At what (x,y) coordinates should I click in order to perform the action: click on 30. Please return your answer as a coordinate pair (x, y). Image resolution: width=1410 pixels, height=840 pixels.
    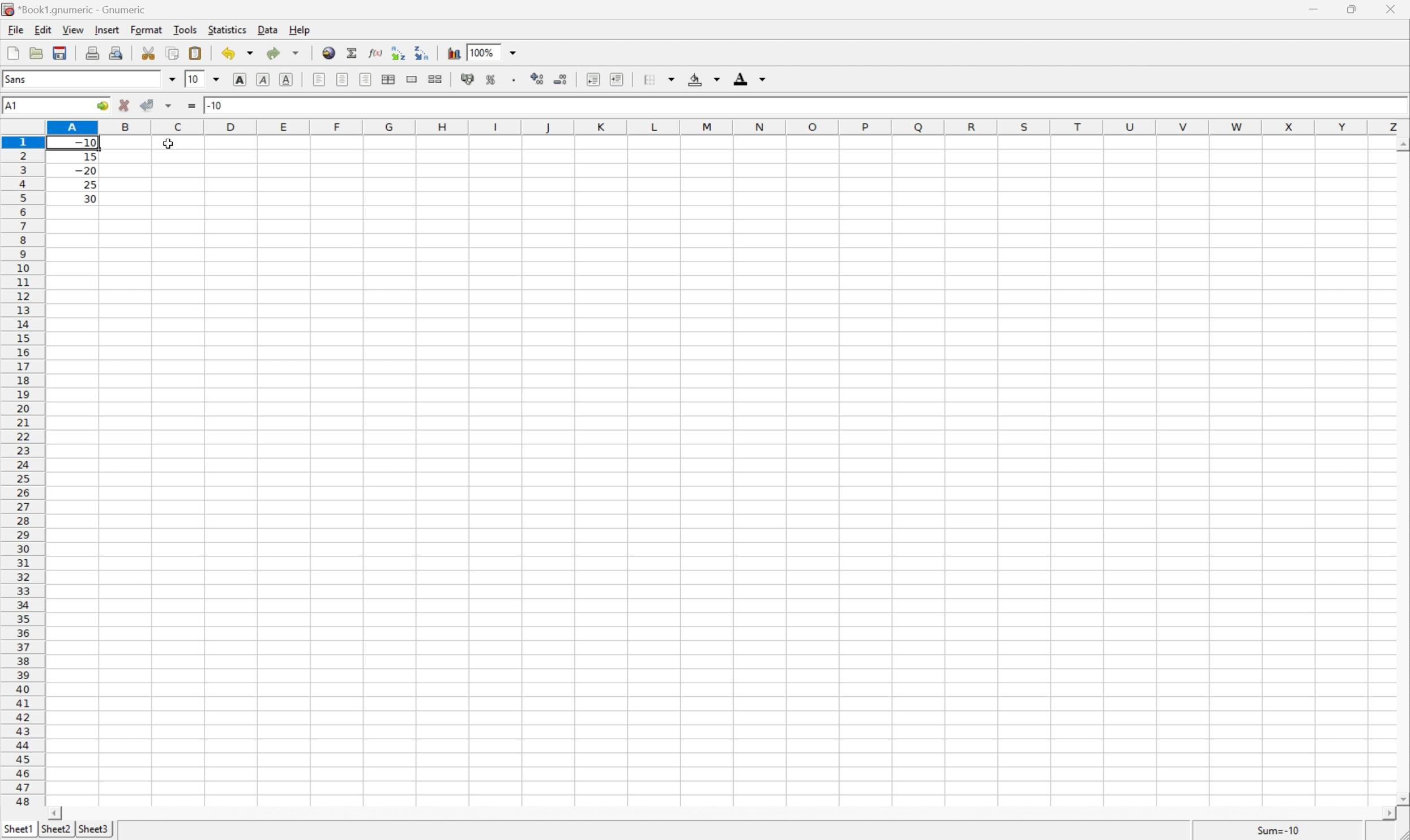
    Looking at the image, I should click on (87, 198).